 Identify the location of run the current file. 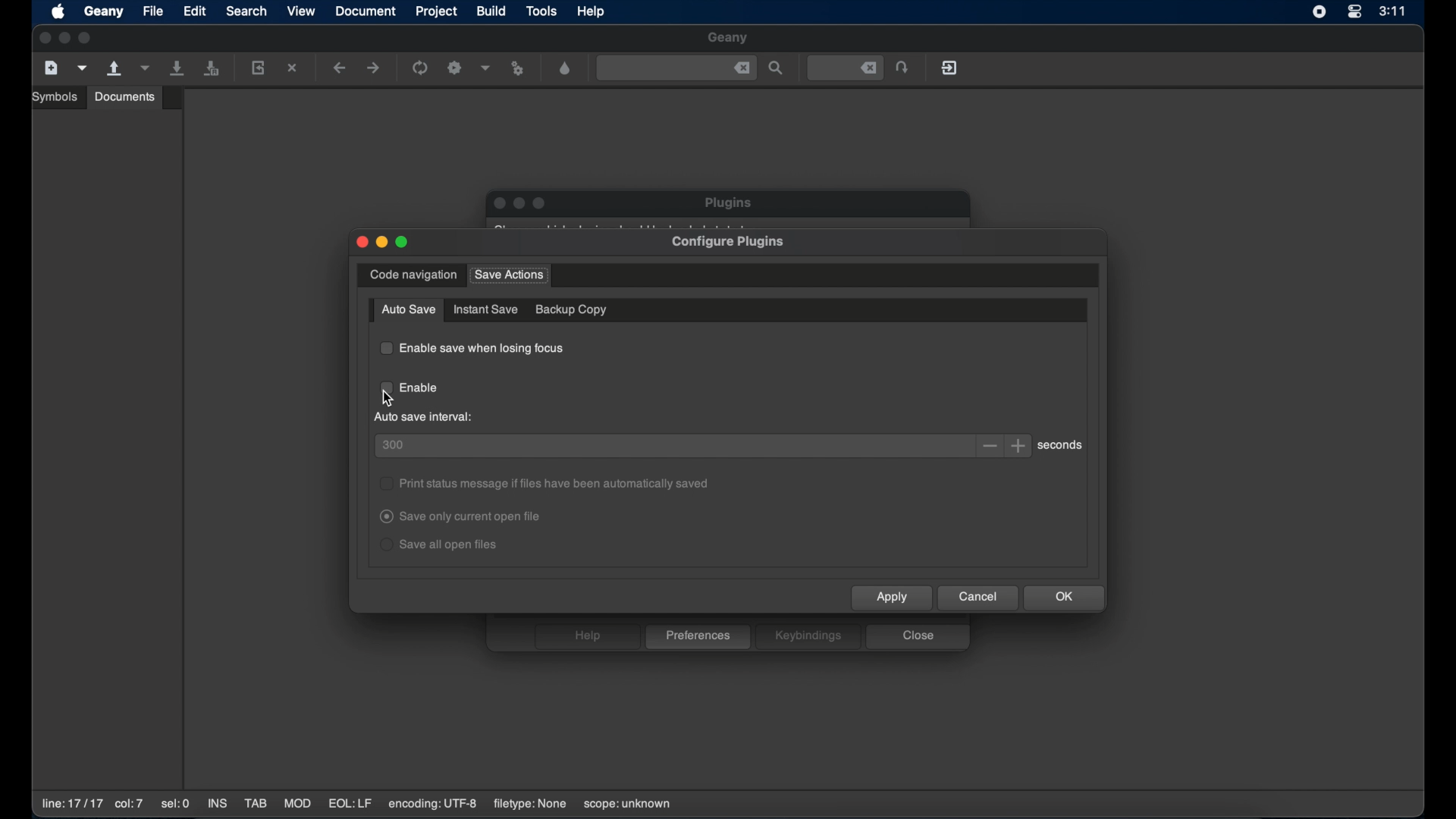
(421, 68).